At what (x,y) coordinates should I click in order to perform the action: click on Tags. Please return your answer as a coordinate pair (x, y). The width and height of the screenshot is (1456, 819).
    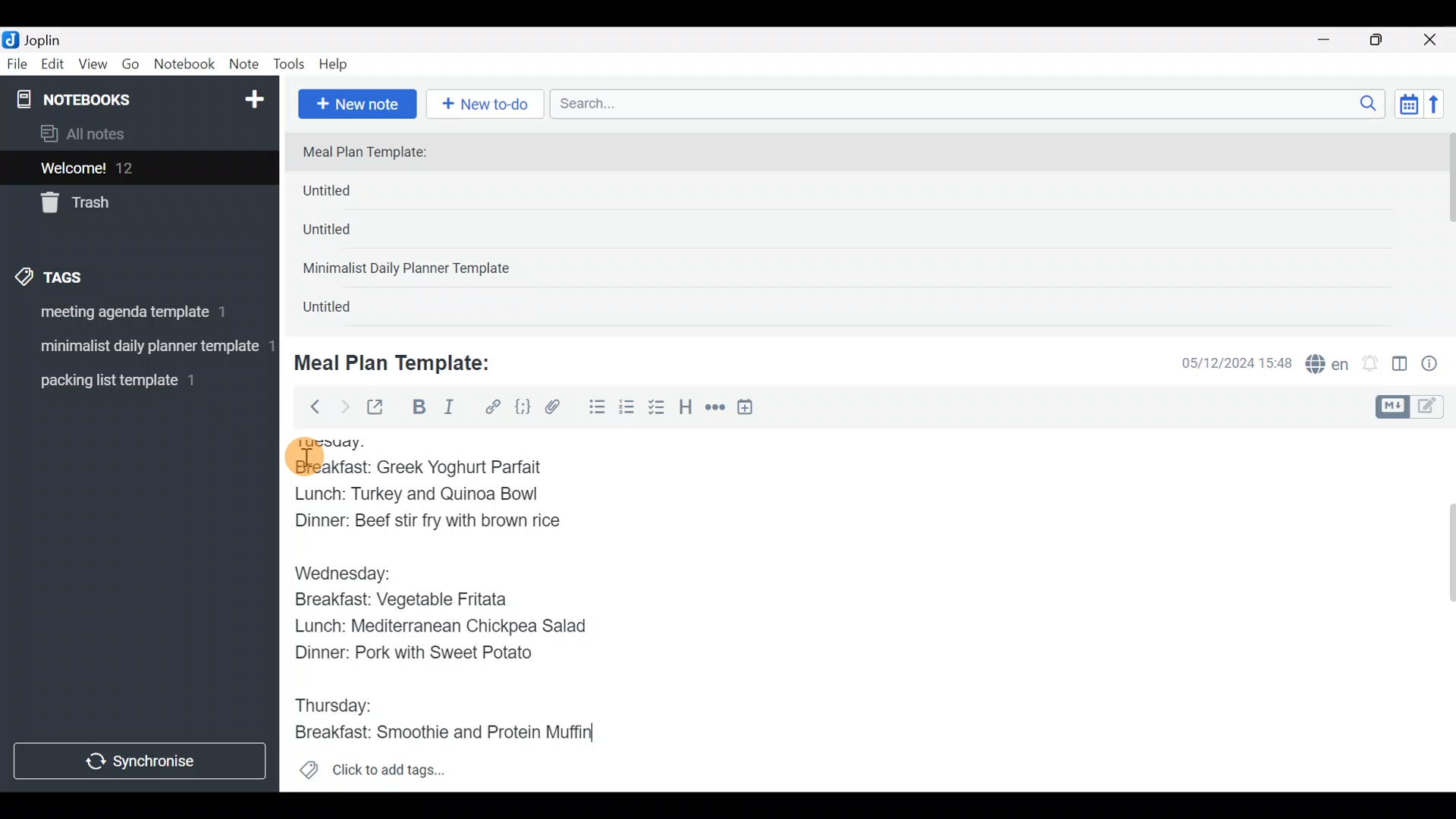
    Looking at the image, I should click on (85, 275).